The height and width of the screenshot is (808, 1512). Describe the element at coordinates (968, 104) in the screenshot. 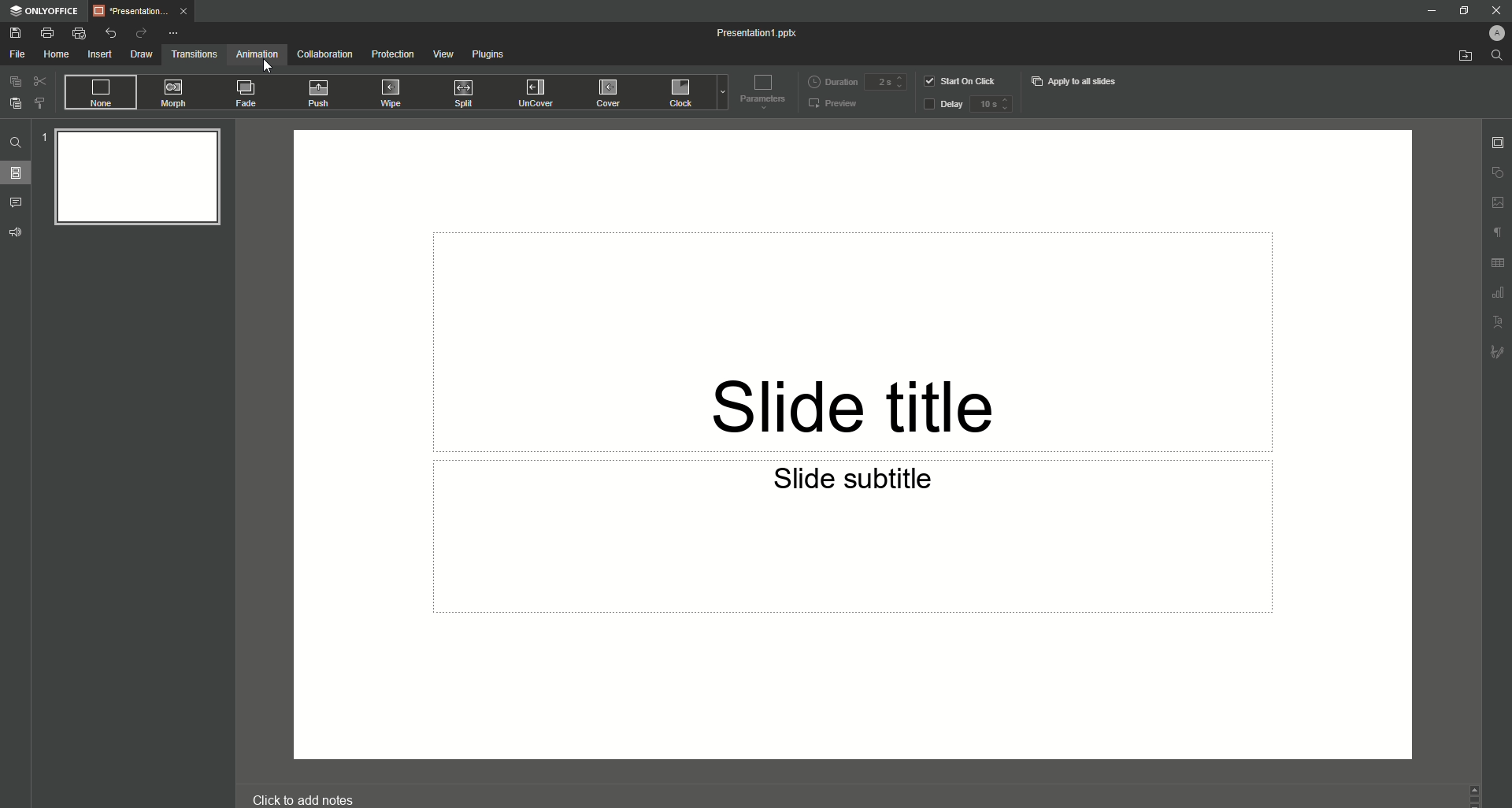

I see `Delay` at that location.